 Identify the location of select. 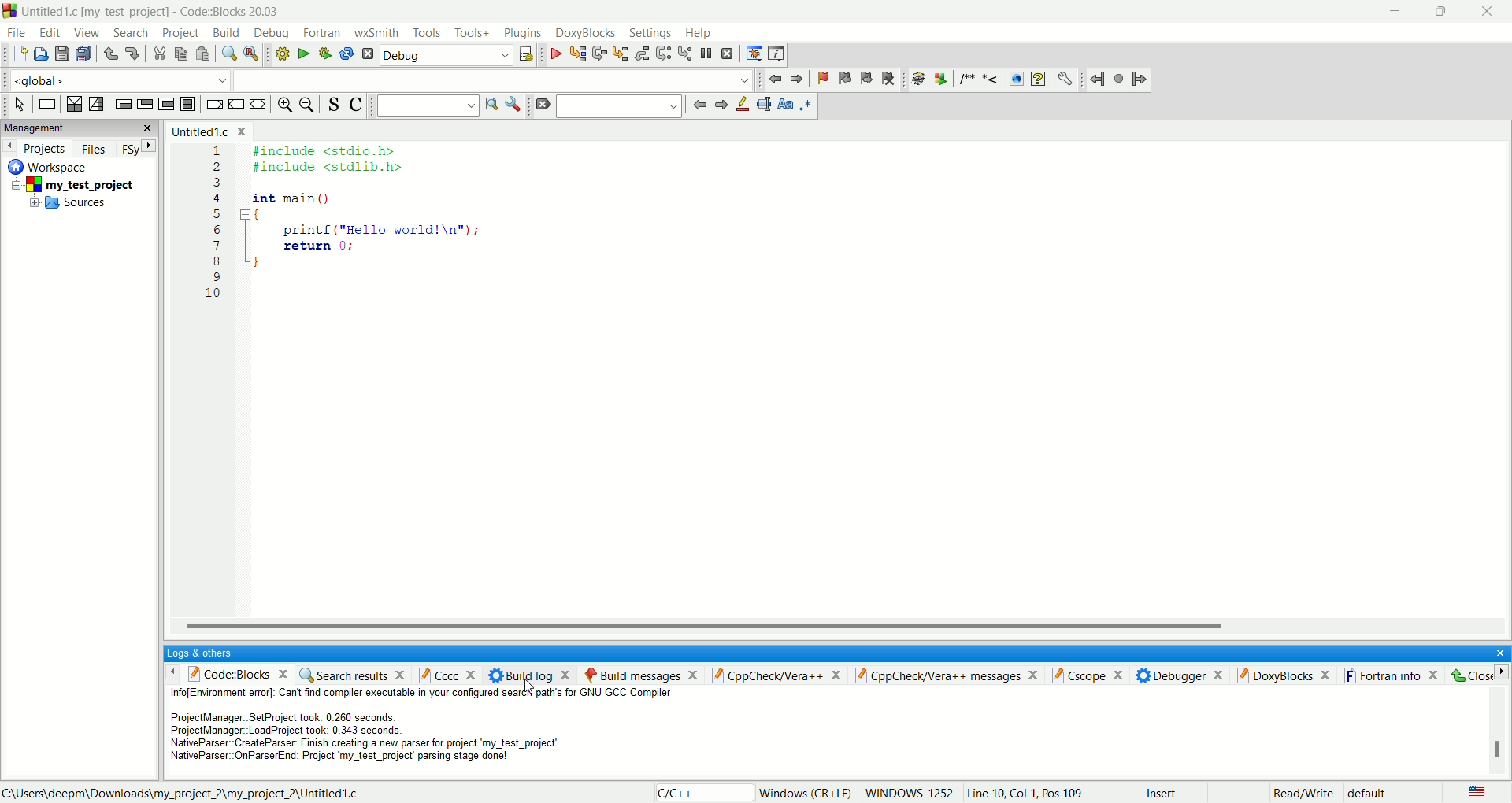
(20, 105).